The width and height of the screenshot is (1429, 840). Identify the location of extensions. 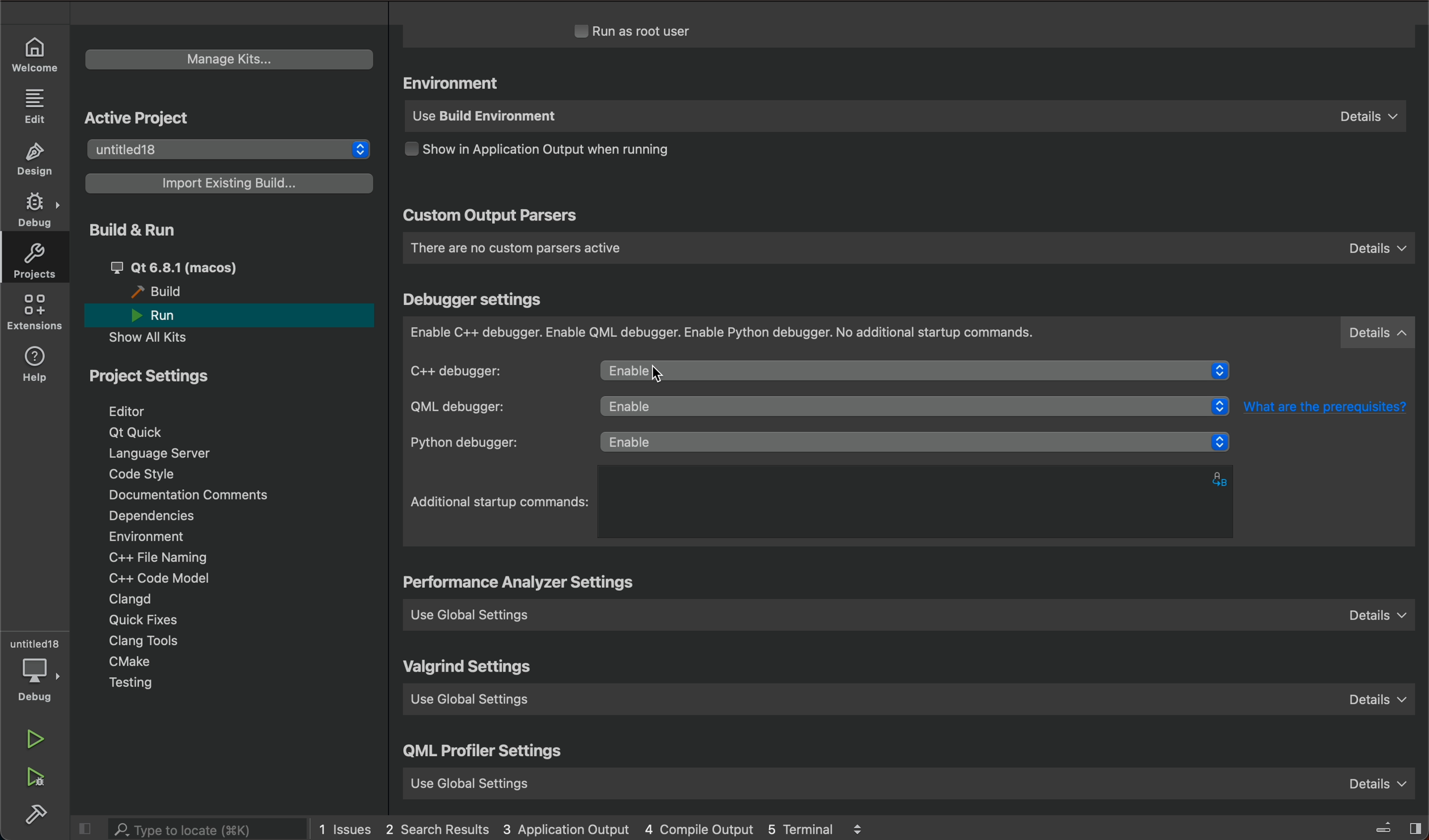
(37, 315).